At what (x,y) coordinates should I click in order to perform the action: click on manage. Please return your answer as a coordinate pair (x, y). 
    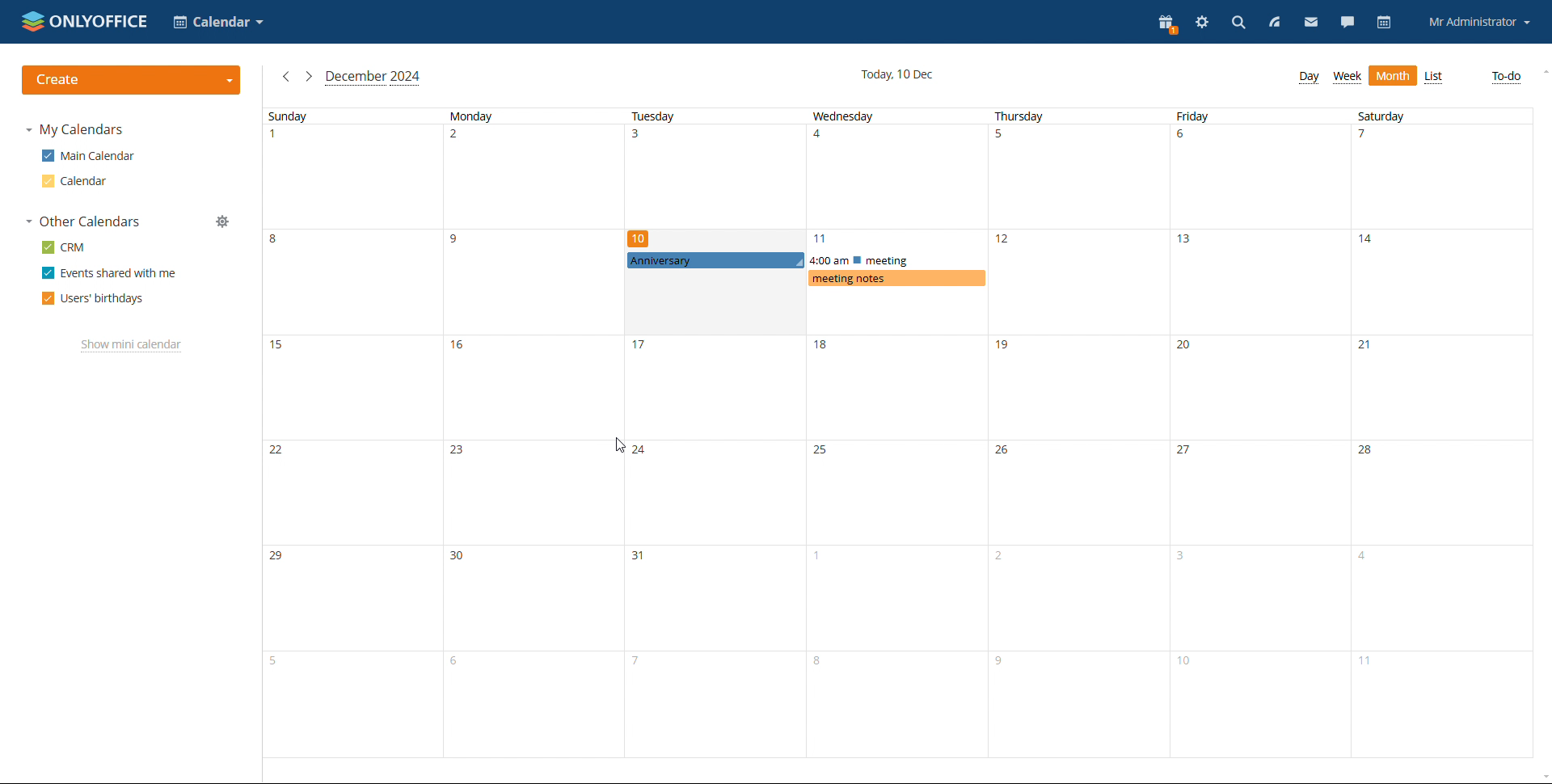
    Looking at the image, I should click on (224, 221).